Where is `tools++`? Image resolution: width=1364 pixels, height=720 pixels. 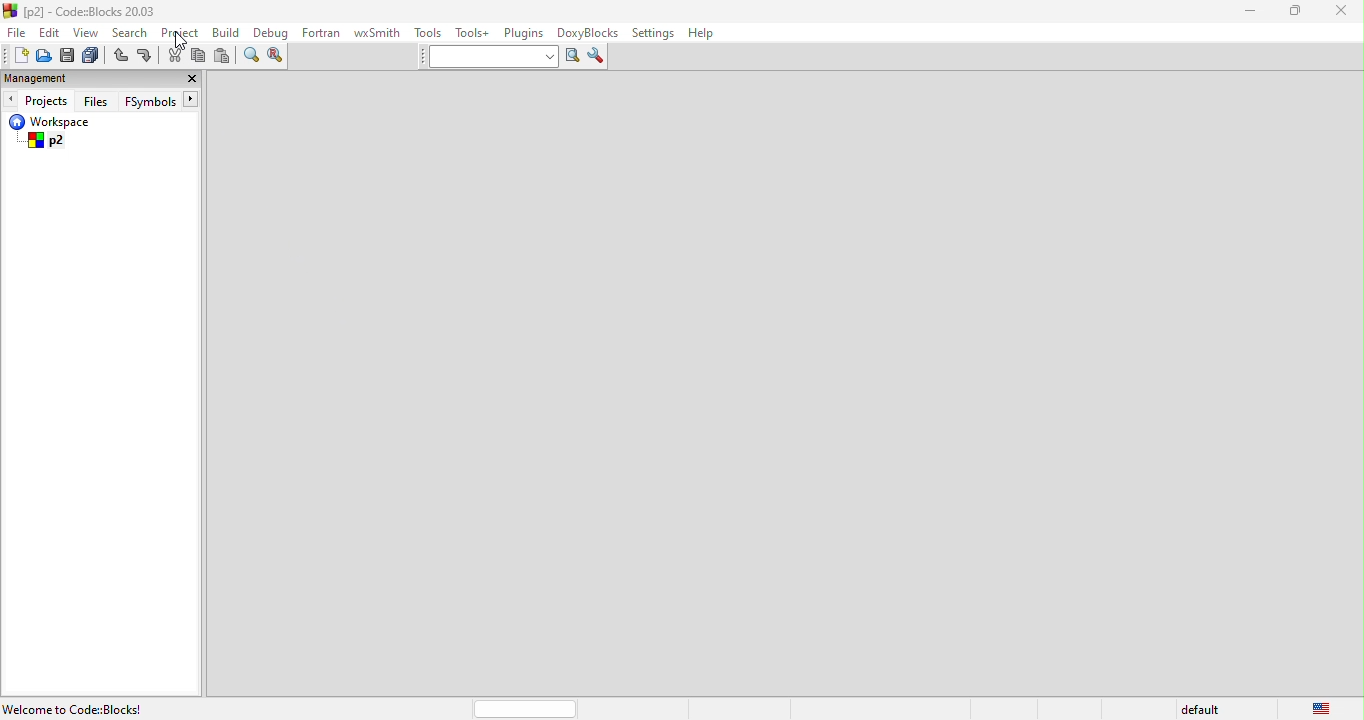
tools++ is located at coordinates (473, 32).